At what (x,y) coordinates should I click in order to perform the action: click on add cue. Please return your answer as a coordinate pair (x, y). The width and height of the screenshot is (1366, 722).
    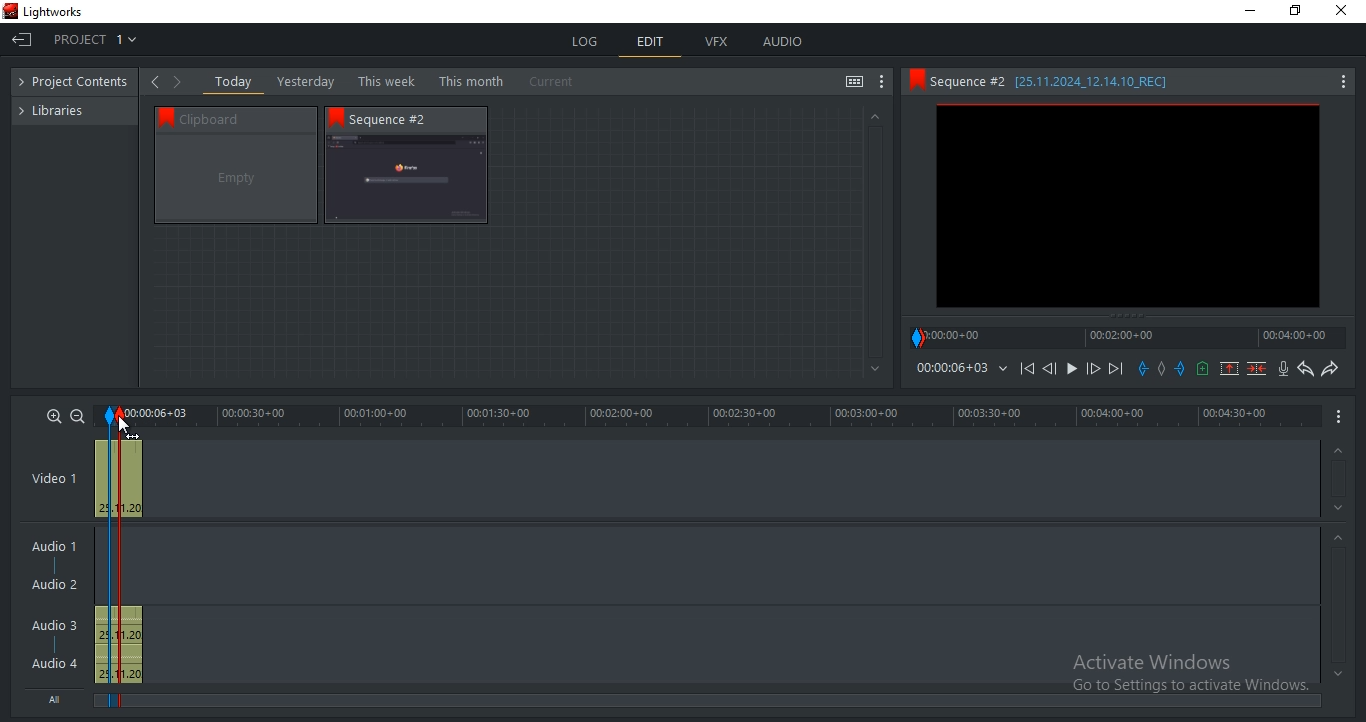
    Looking at the image, I should click on (1203, 369).